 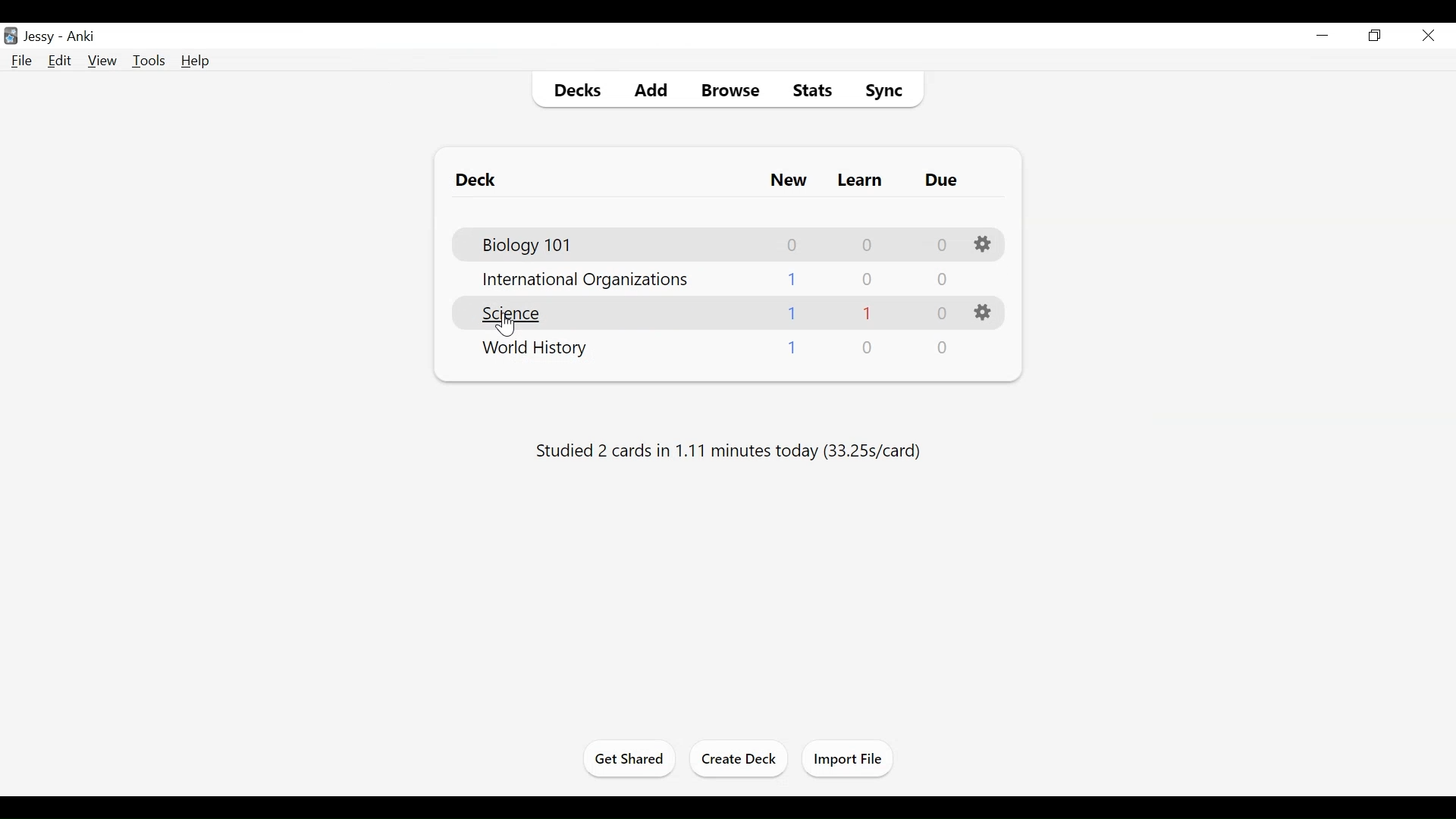 What do you see at coordinates (103, 61) in the screenshot?
I see `View` at bounding box center [103, 61].